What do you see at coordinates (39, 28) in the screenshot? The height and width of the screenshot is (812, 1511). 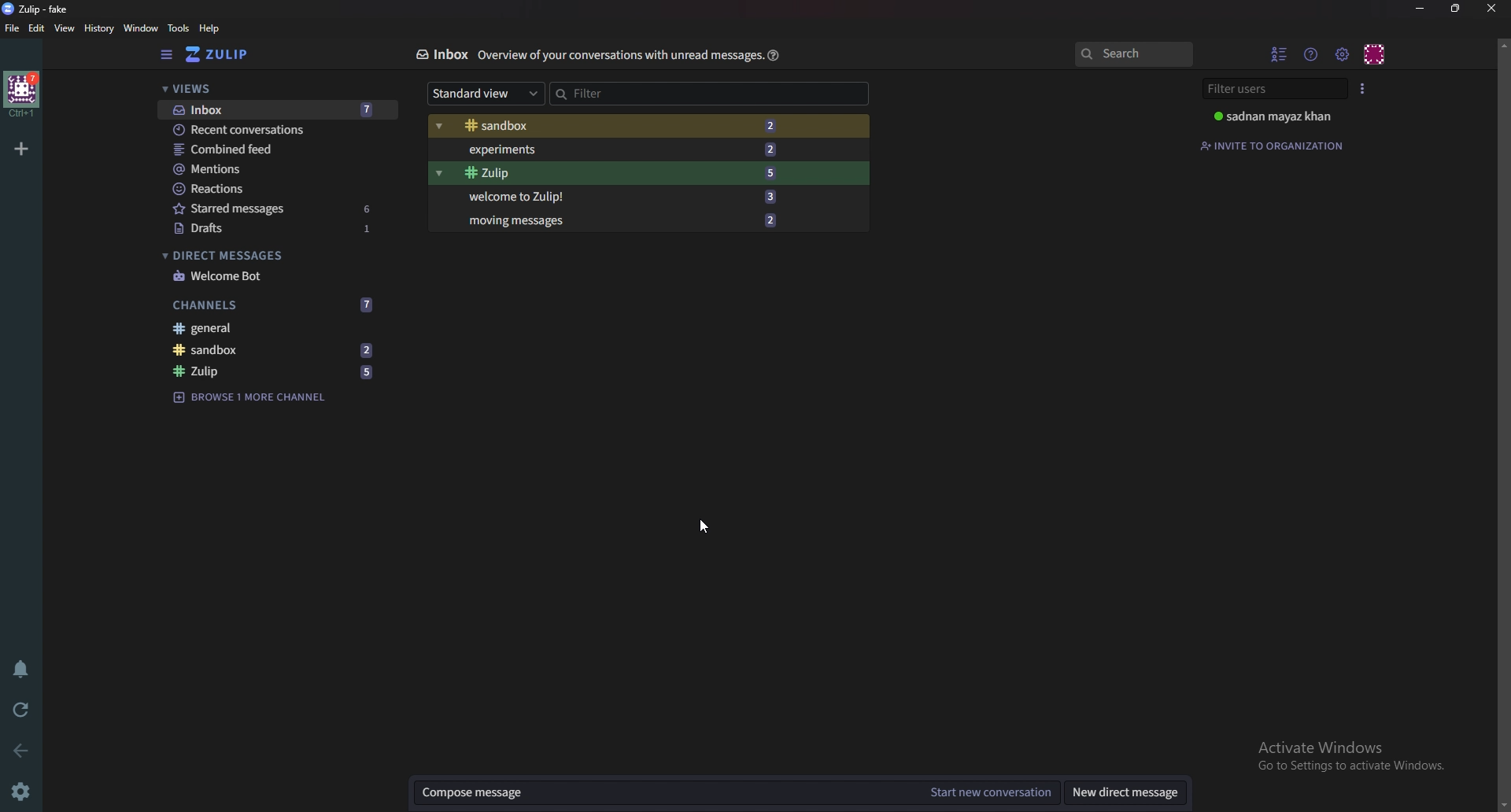 I see `edit` at bounding box center [39, 28].